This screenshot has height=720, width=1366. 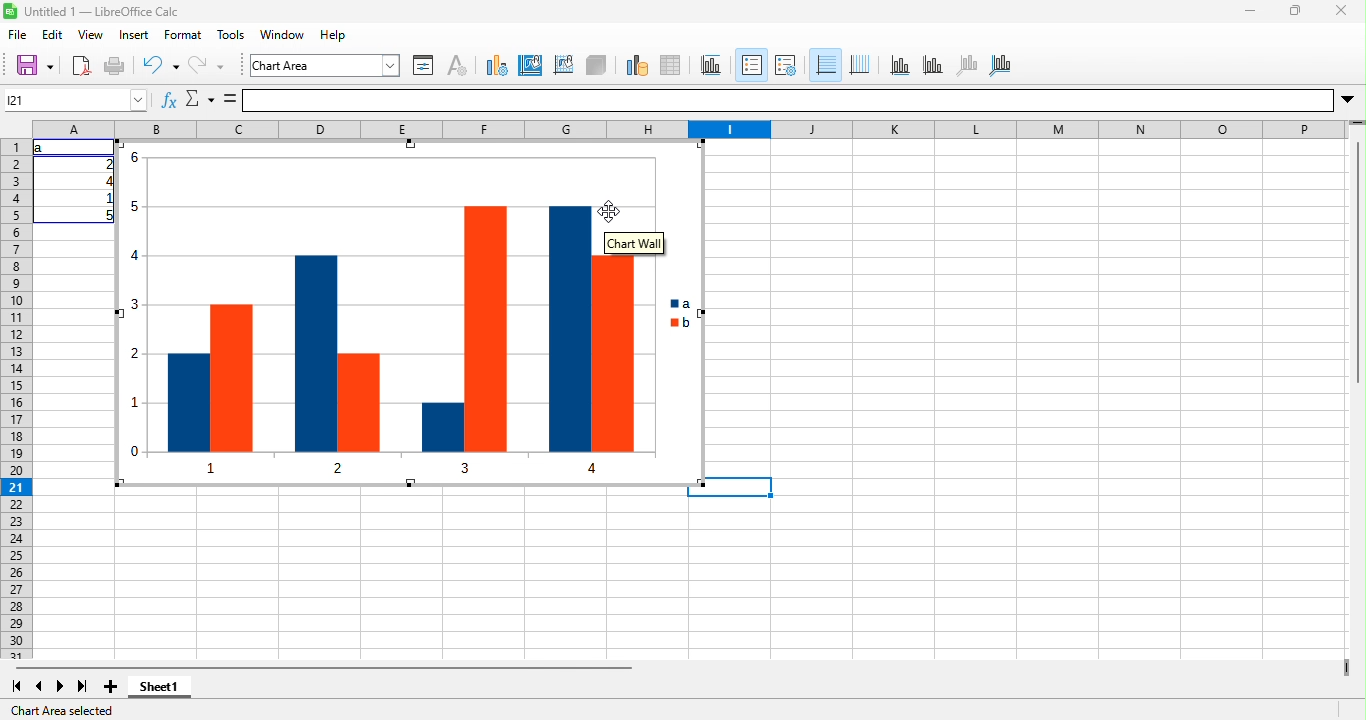 What do you see at coordinates (61, 711) in the screenshot?
I see `chart area selected` at bounding box center [61, 711].